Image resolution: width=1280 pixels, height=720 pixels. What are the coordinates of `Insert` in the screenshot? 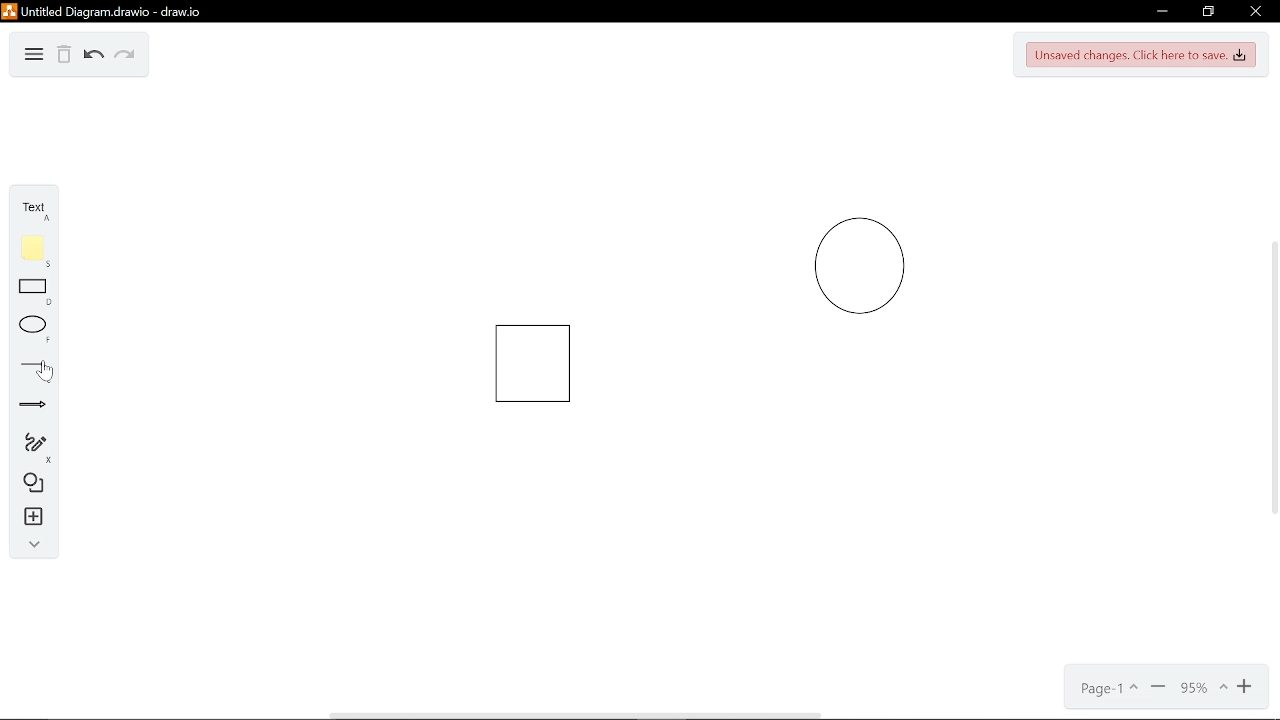 It's located at (27, 516).